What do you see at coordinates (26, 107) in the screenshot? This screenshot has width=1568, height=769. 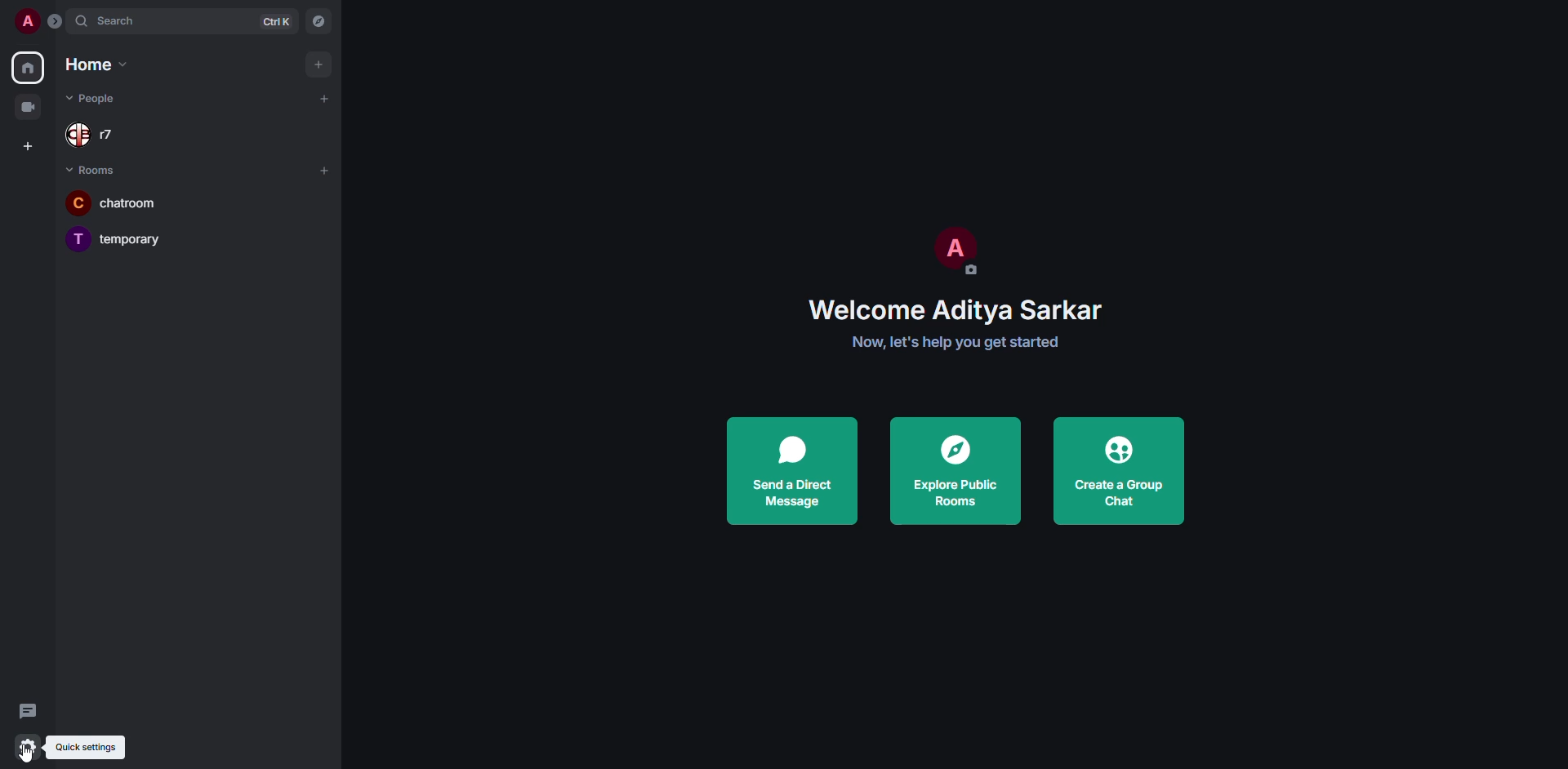 I see `video room` at bounding box center [26, 107].